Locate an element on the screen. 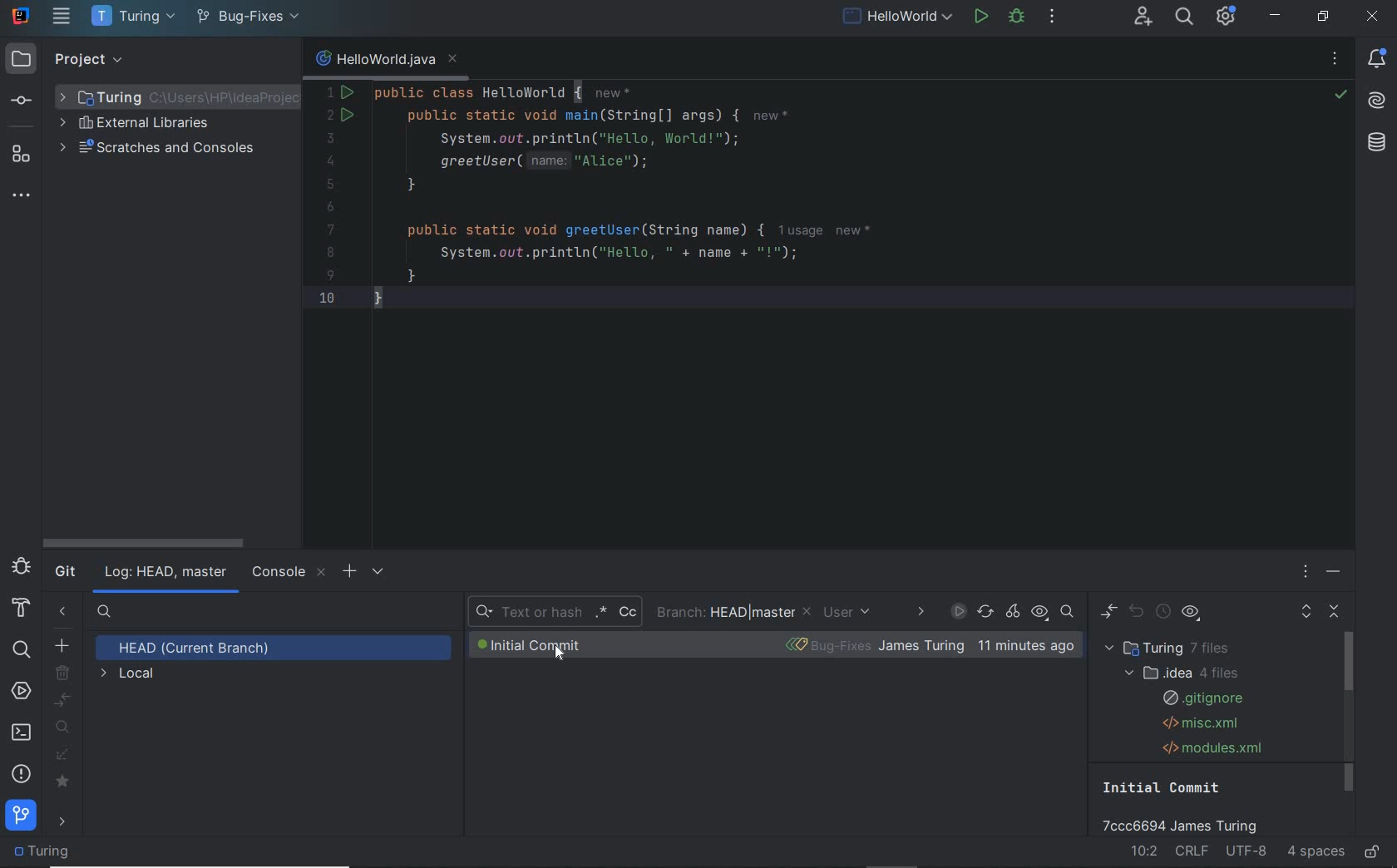  indent is located at coordinates (1316, 852).